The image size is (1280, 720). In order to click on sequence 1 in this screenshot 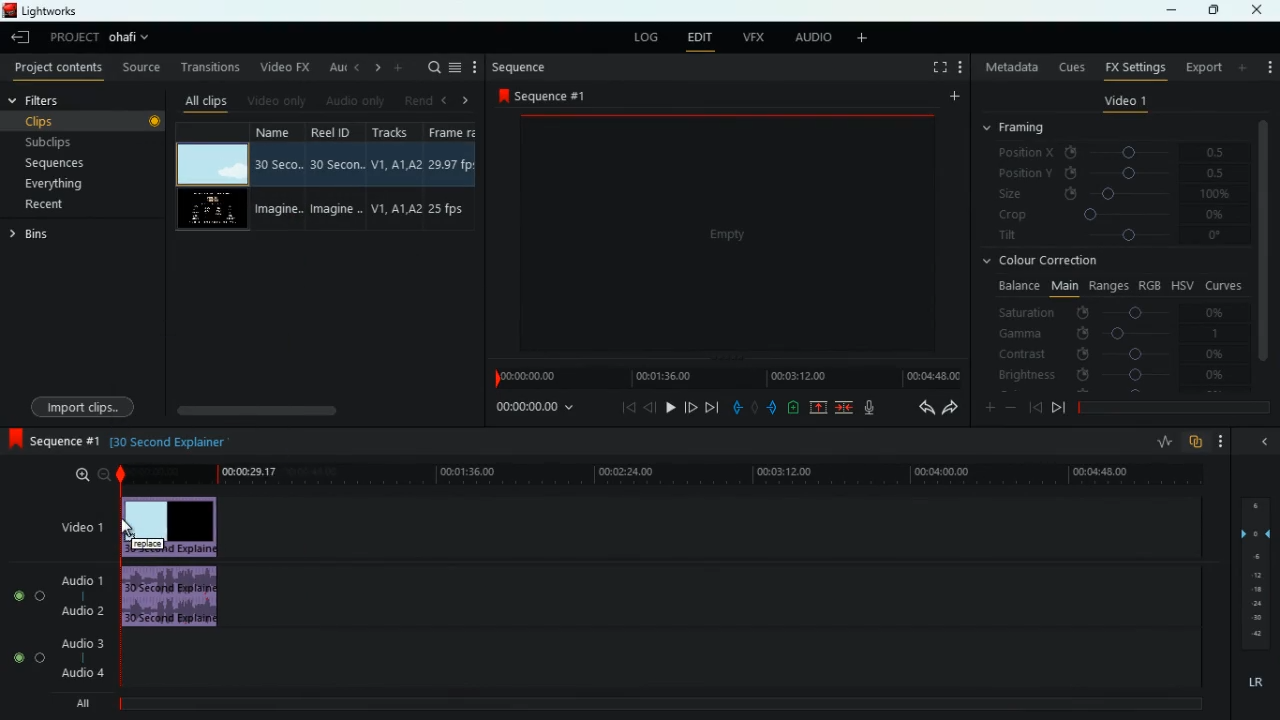, I will do `click(53, 441)`.